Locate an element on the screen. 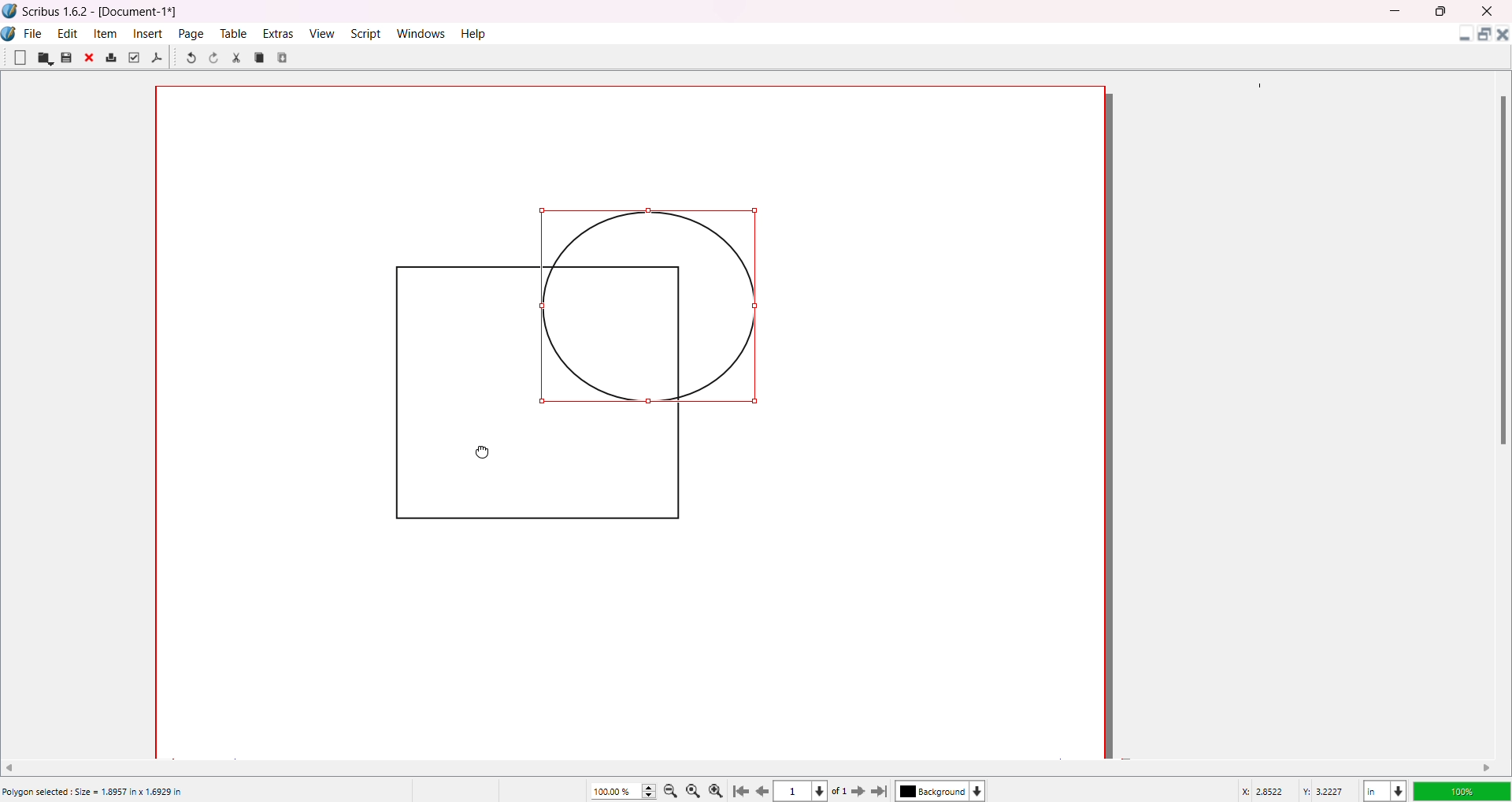  File is located at coordinates (34, 32).